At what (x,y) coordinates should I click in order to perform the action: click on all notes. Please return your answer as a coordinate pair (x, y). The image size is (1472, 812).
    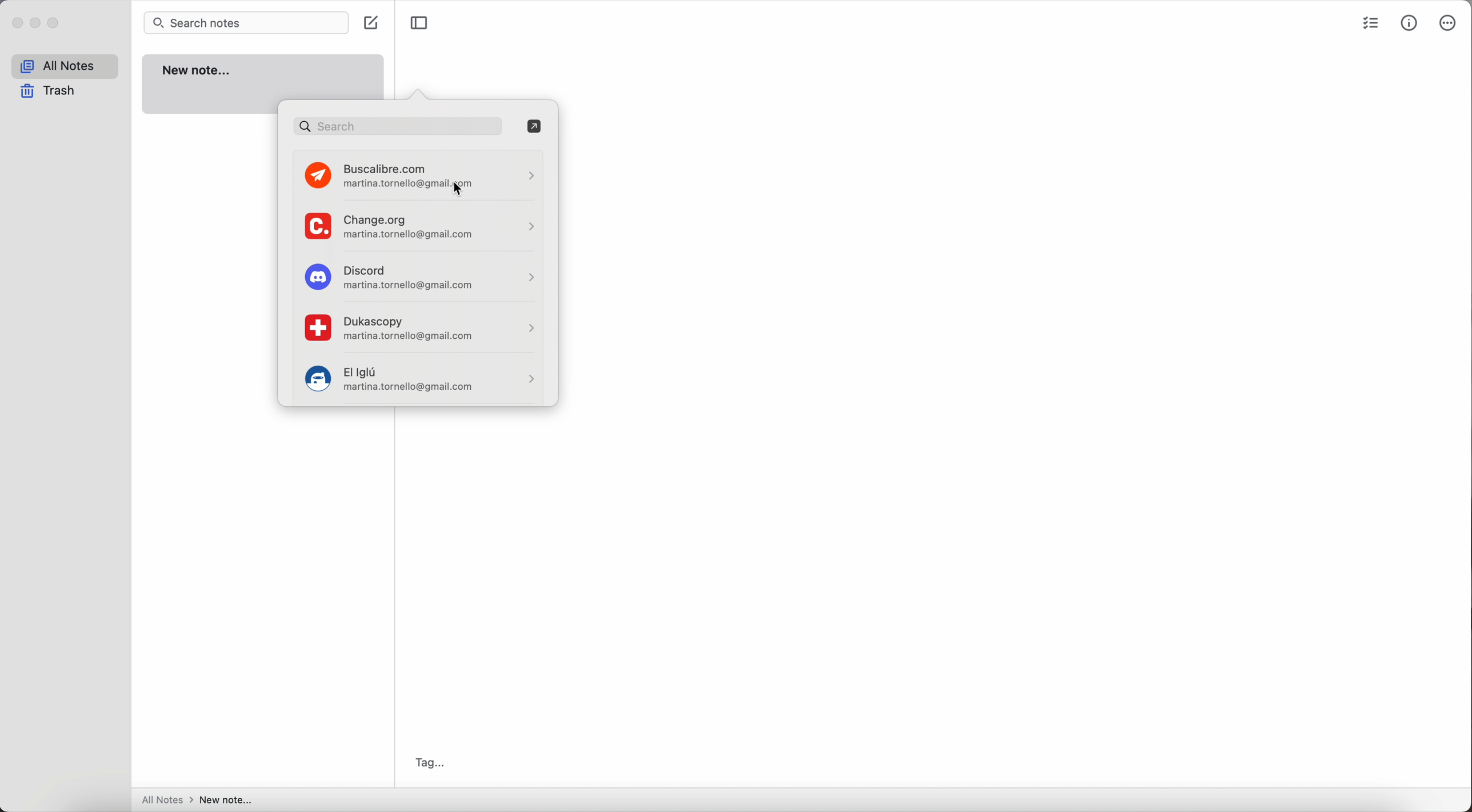
    Looking at the image, I should click on (63, 67).